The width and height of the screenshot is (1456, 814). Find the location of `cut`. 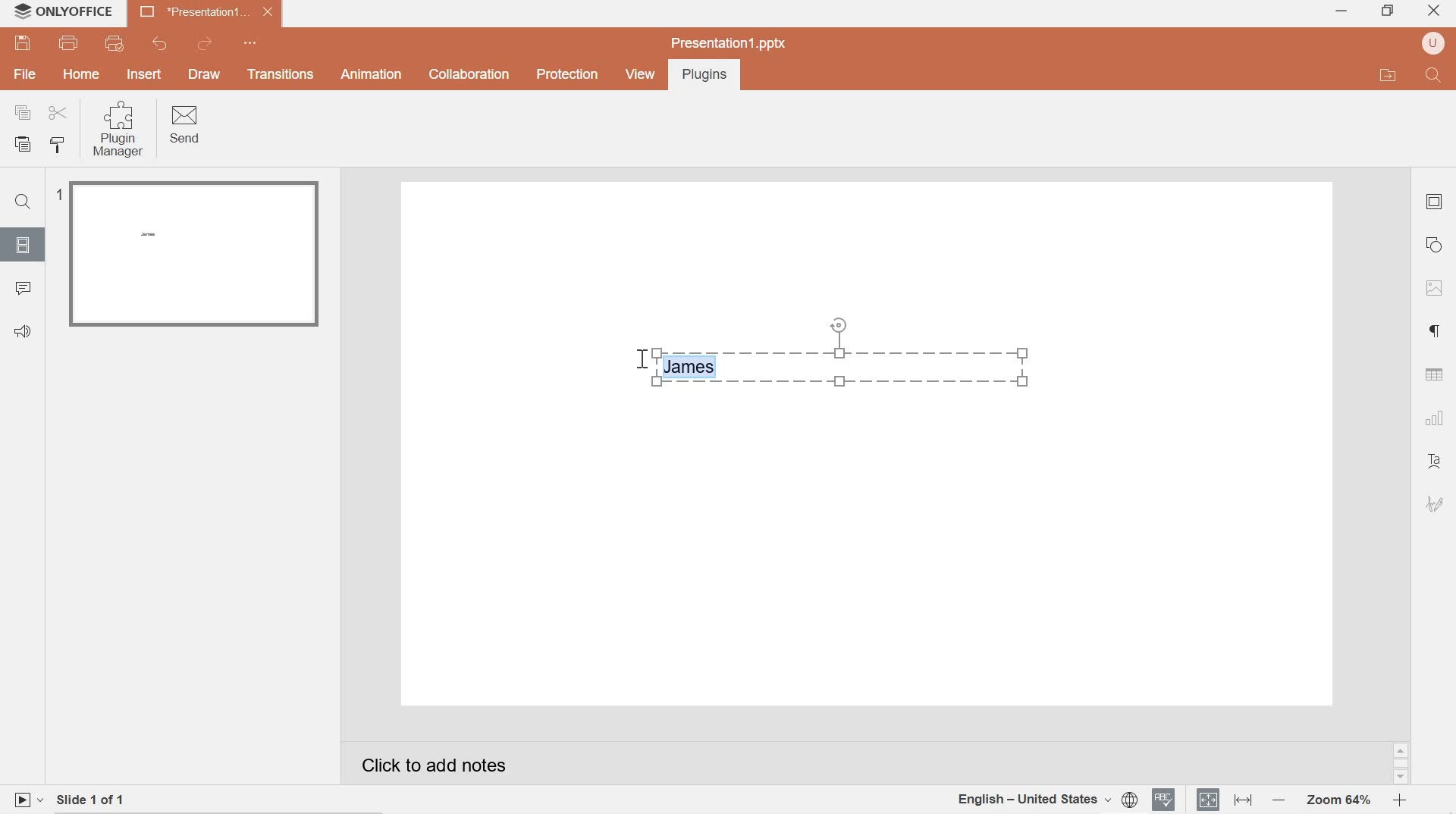

cut is located at coordinates (58, 112).